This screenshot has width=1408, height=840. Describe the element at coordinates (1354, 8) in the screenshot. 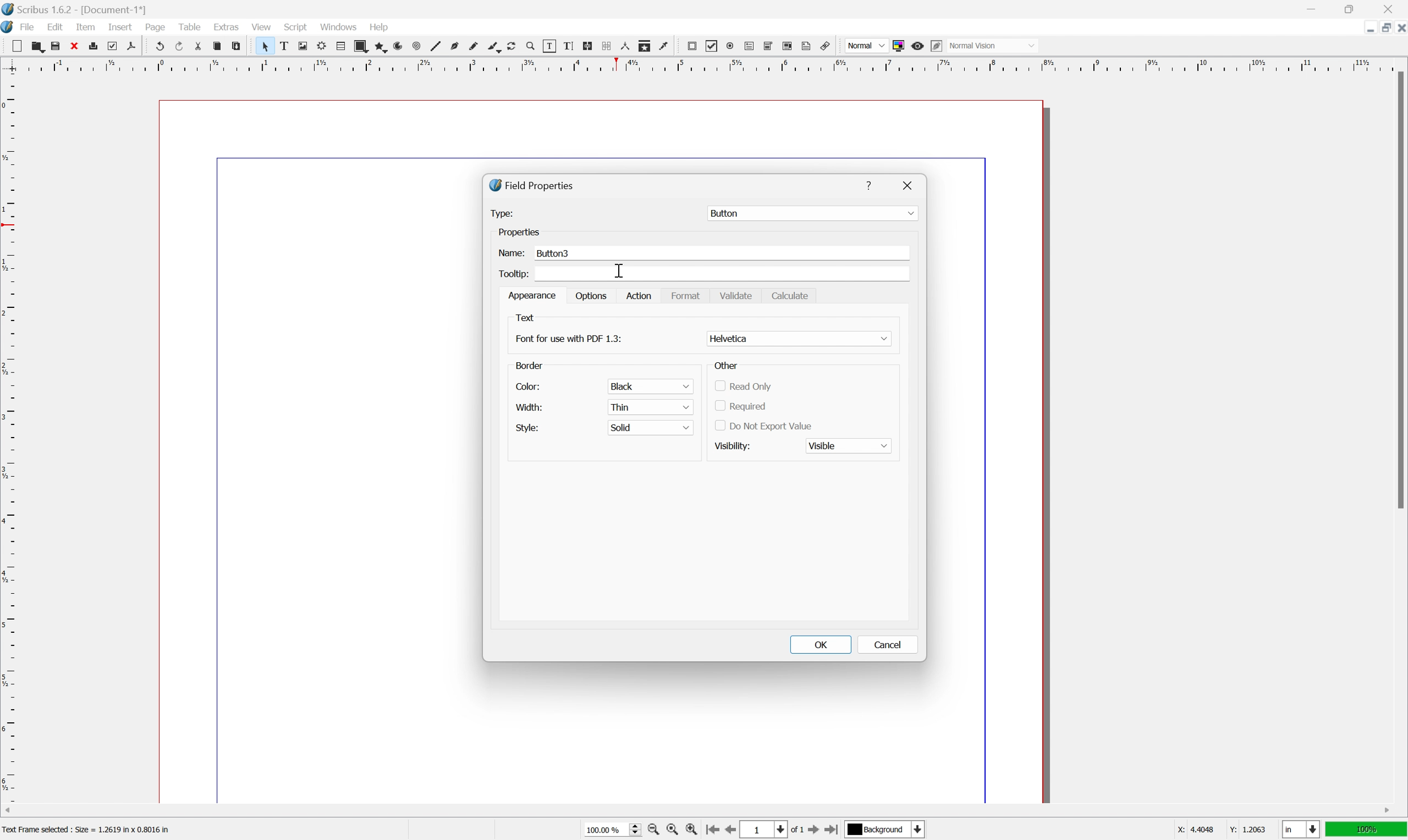

I see `restore down` at that location.